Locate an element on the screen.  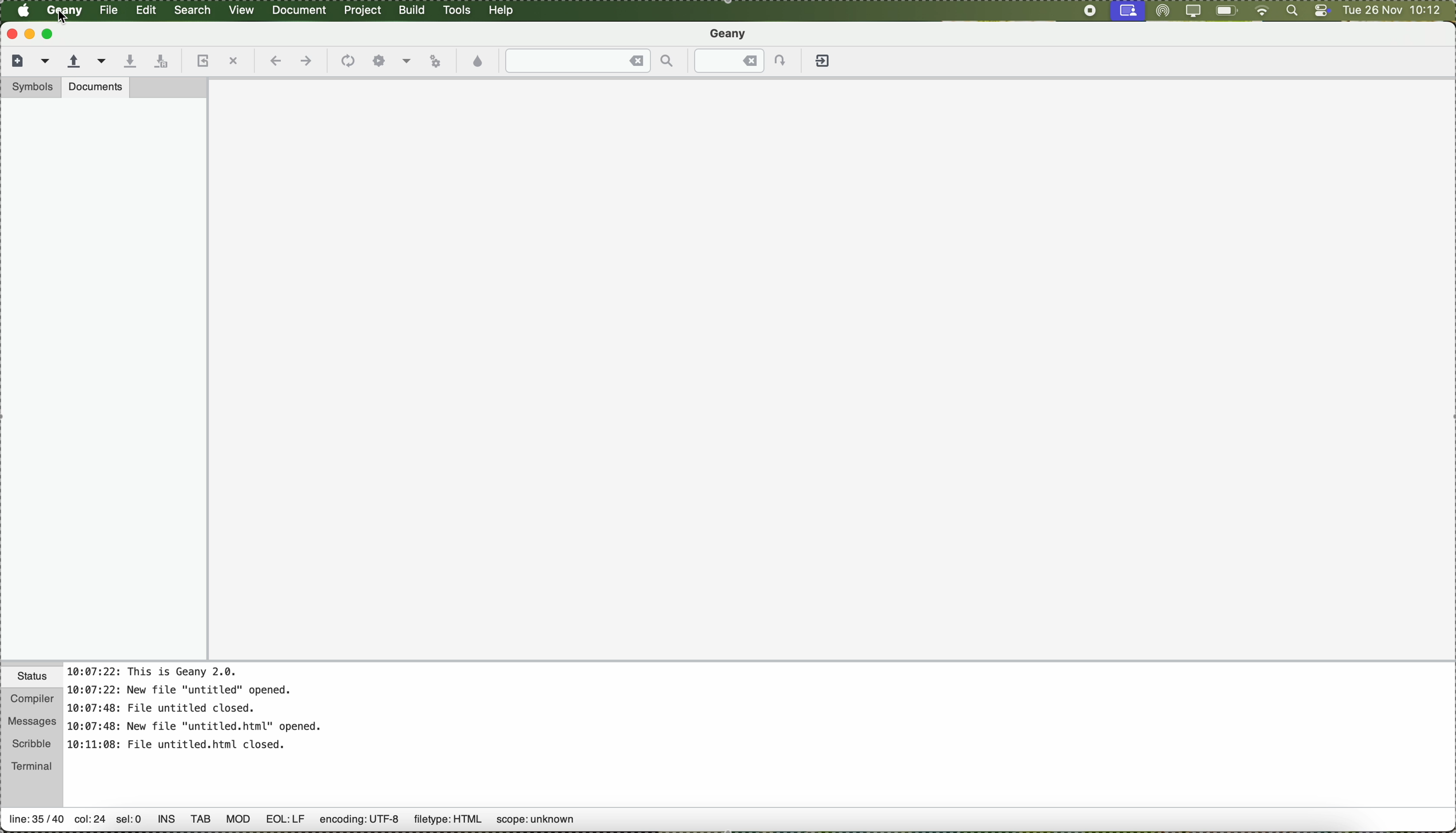
close the current file is located at coordinates (234, 61).